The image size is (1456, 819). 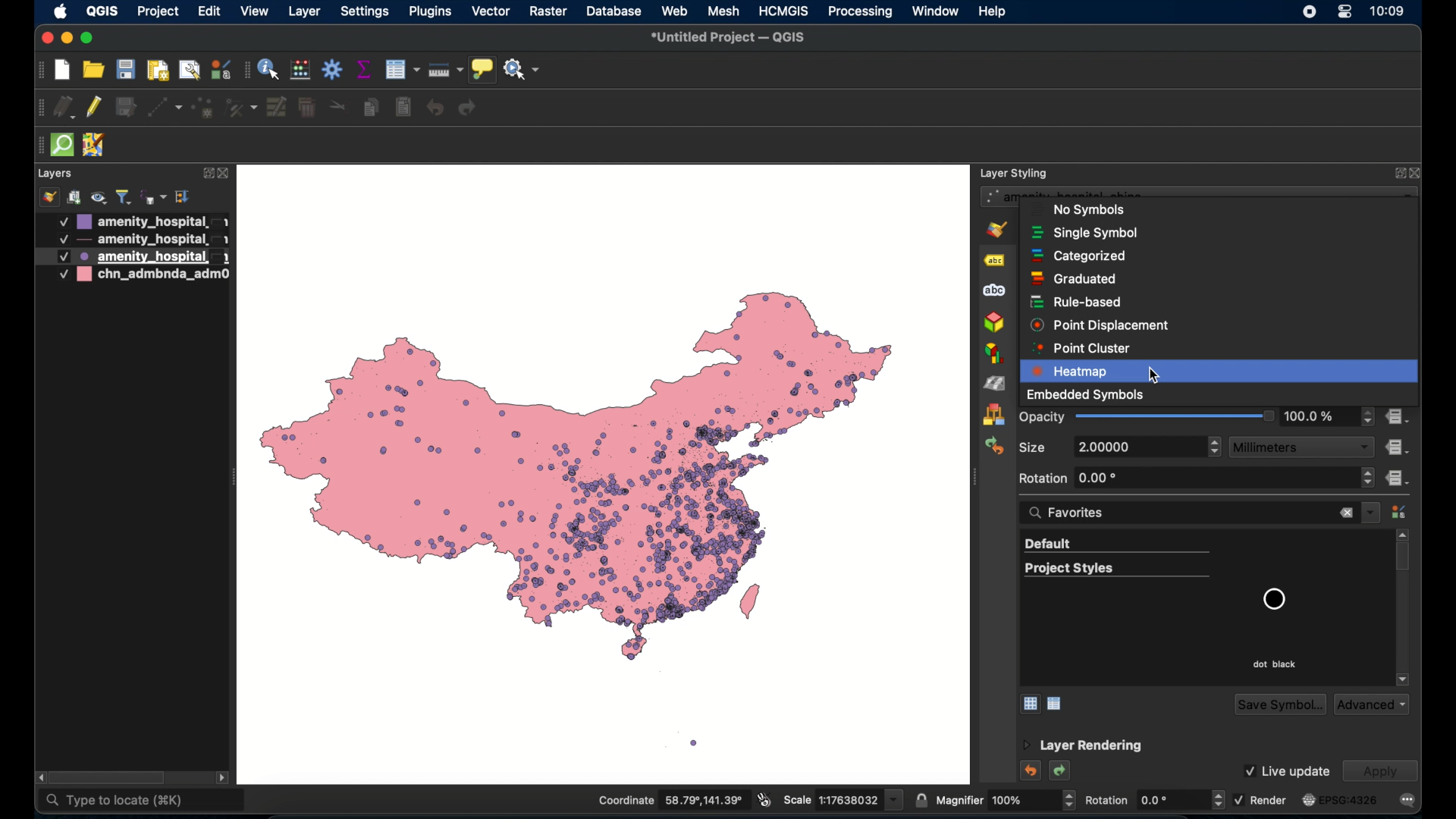 I want to click on print layout, so click(x=159, y=72).